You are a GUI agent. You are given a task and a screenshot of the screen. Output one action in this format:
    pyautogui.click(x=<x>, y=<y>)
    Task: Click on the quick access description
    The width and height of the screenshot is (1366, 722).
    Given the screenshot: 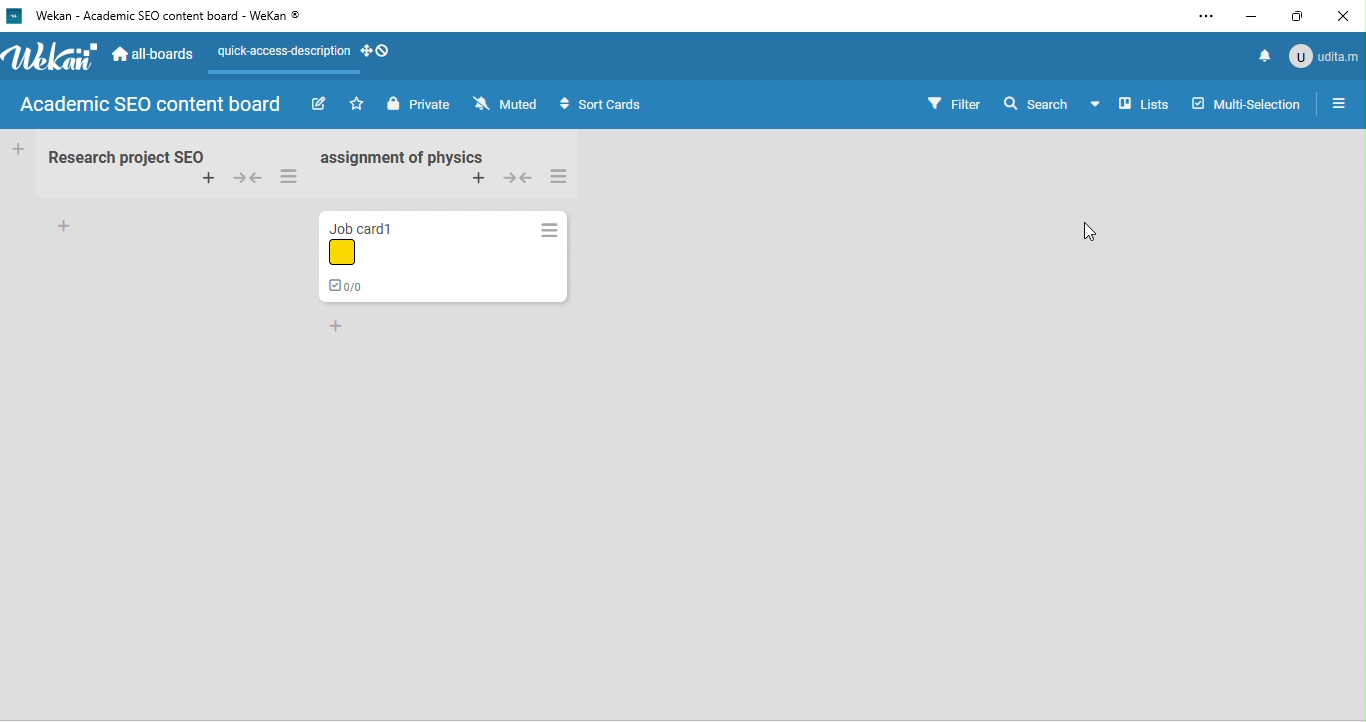 What is the action you would take?
    pyautogui.click(x=281, y=55)
    